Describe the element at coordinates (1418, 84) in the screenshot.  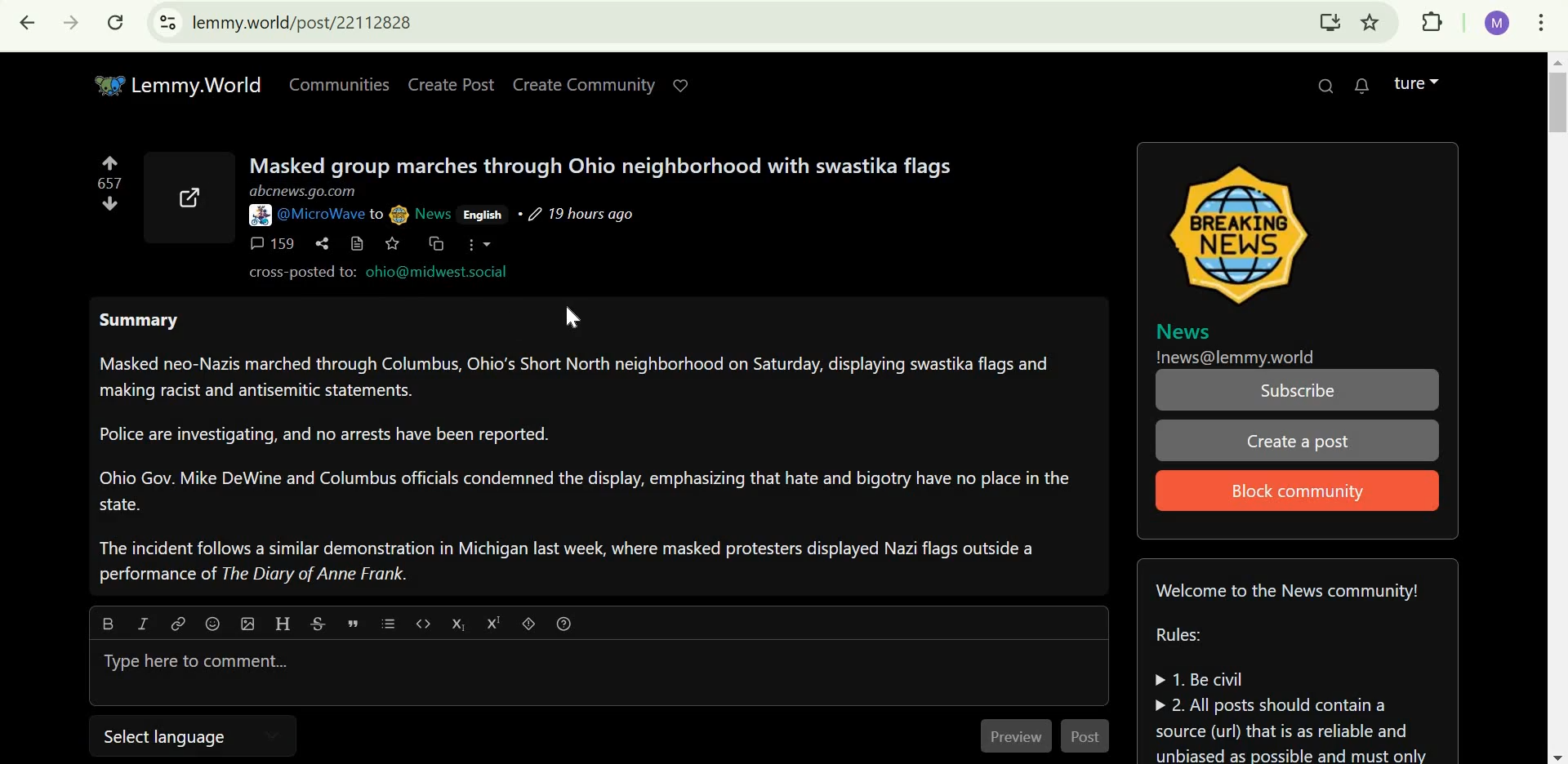
I see `lemmy account` at that location.